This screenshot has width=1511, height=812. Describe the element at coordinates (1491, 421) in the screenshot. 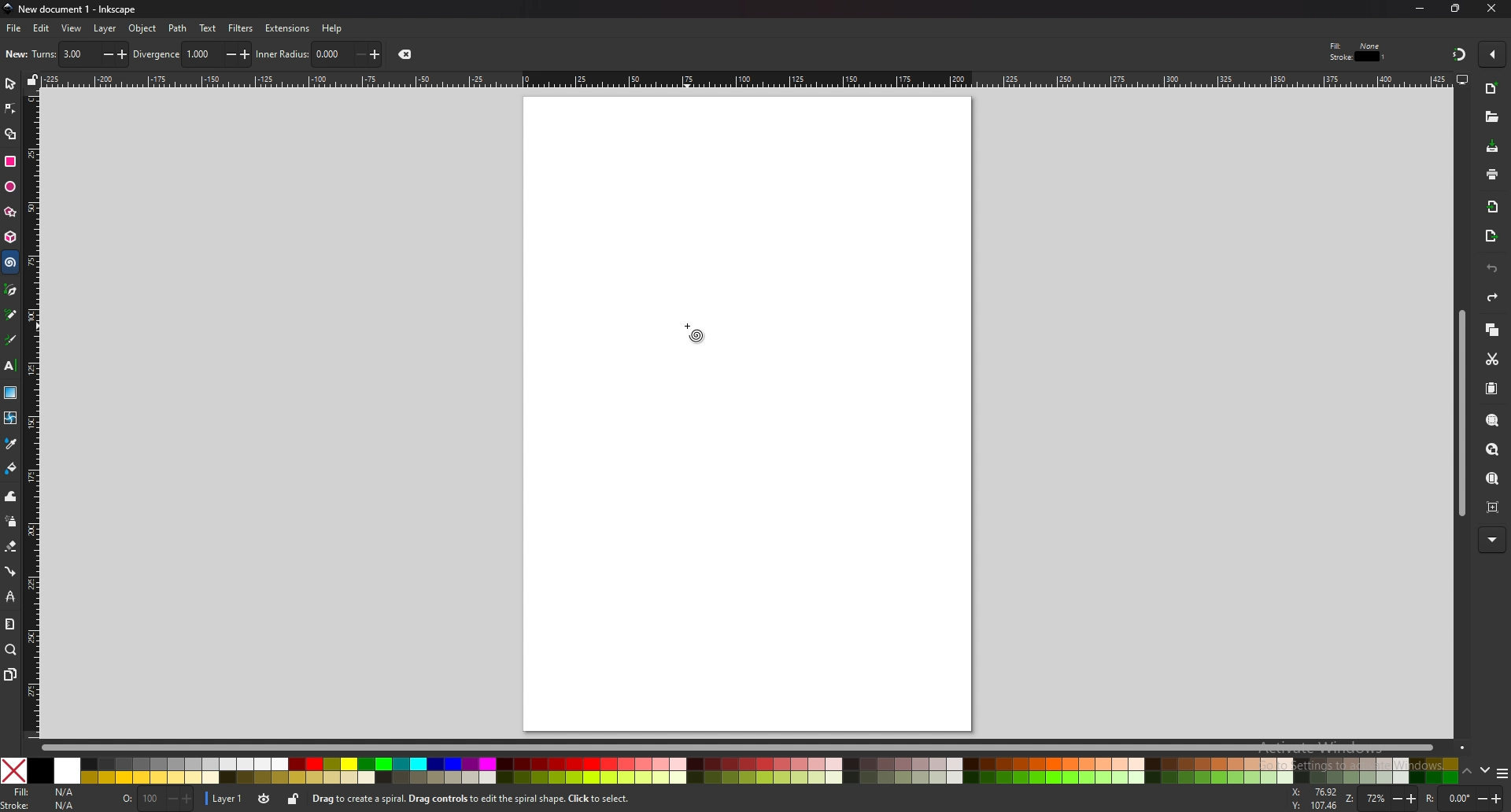

I see `zoom selection` at that location.